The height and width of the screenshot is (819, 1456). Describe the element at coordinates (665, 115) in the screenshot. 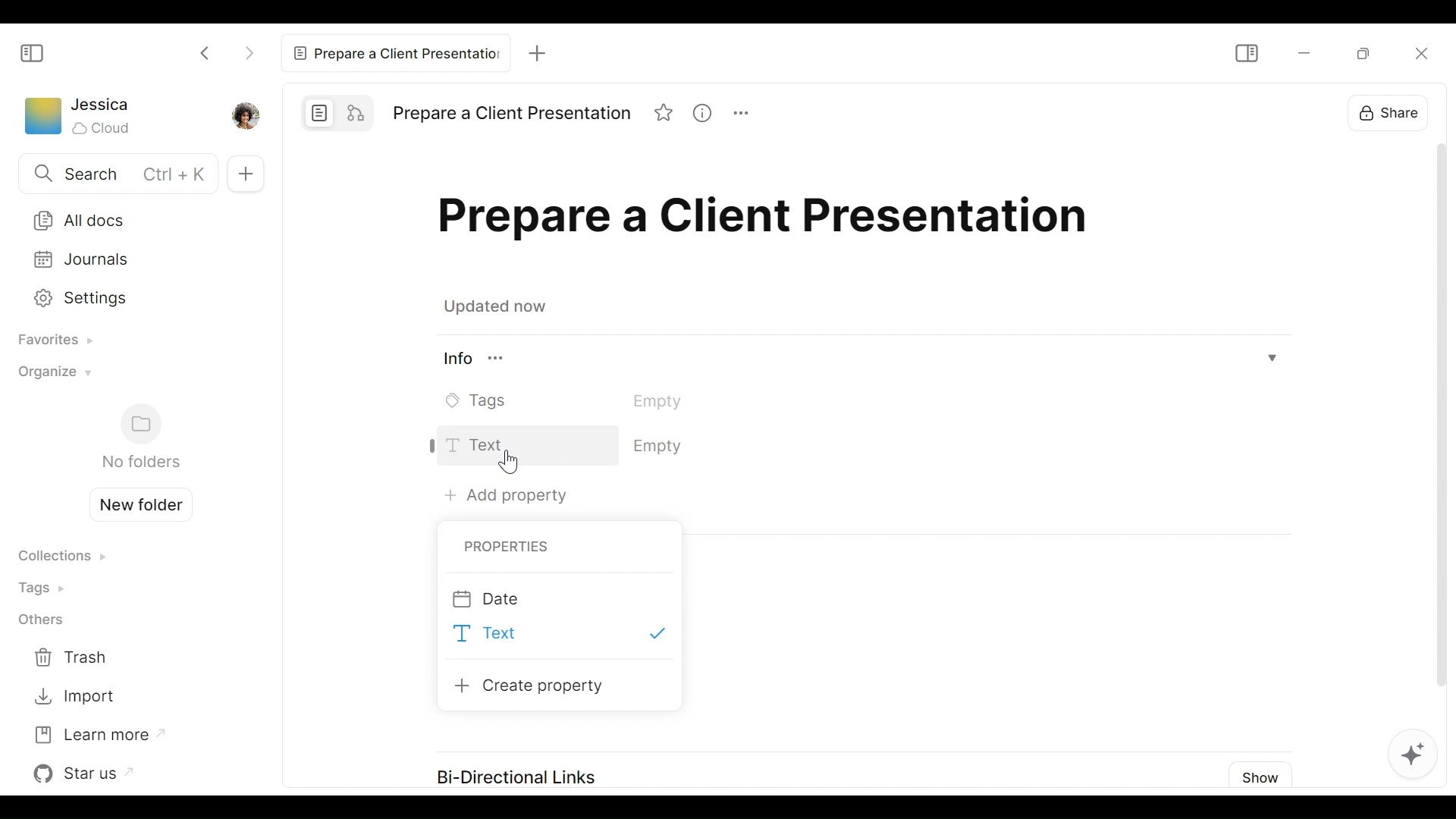

I see `Favorite` at that location.